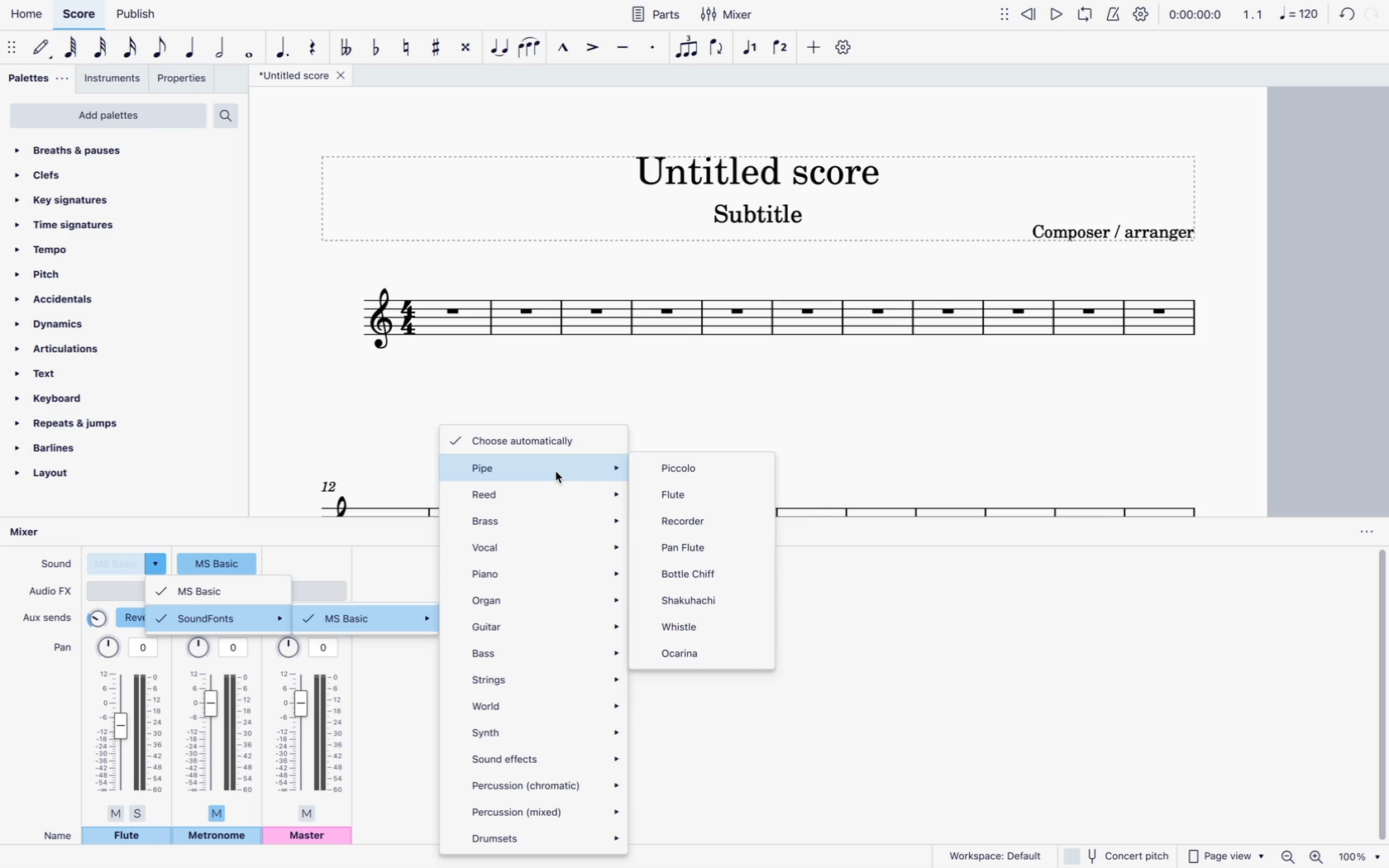 This screenshot has width=1389, height=868. I want to click on pipe, so click(536, 467).